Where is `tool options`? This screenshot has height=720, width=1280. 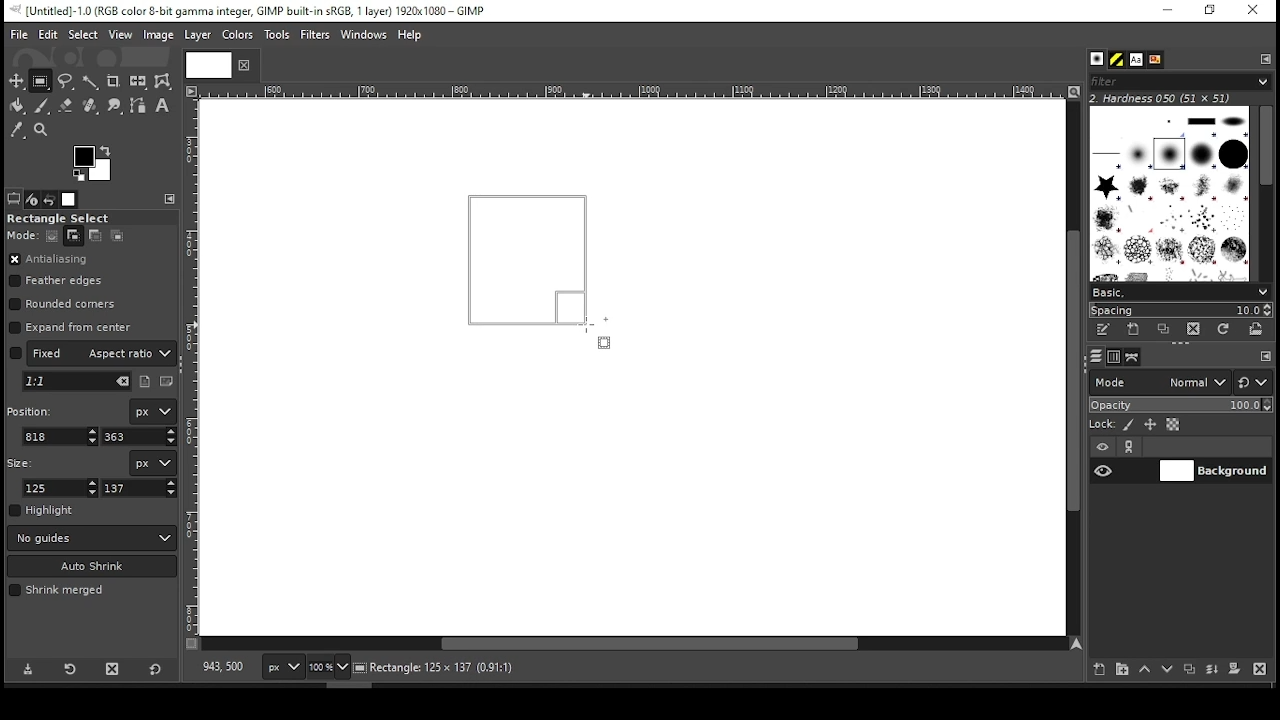 tool options is located at coordinates (14, 198).